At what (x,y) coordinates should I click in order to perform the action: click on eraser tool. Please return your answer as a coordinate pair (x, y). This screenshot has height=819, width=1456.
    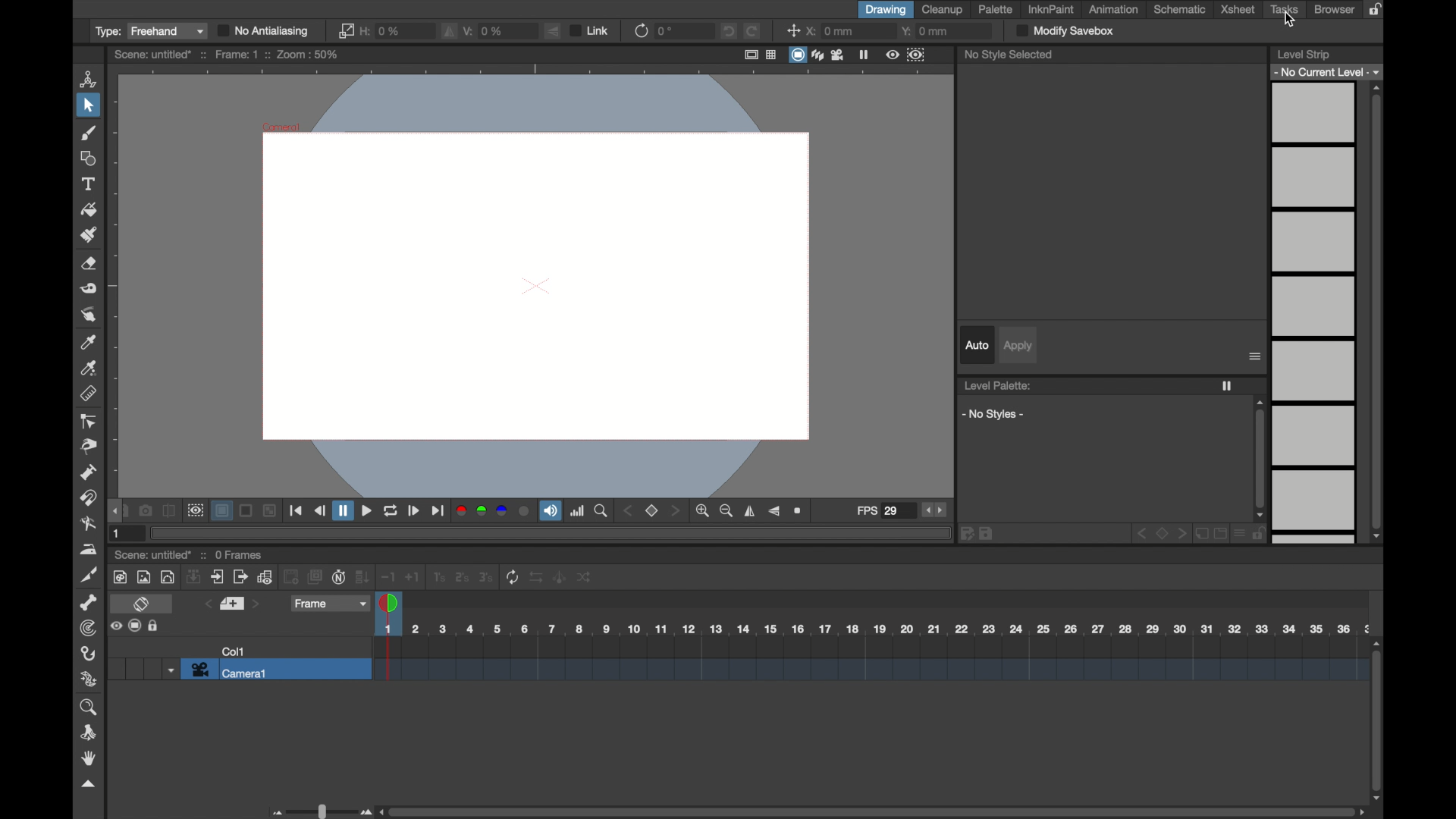
    Looking at the image, I should click on (89, 263).